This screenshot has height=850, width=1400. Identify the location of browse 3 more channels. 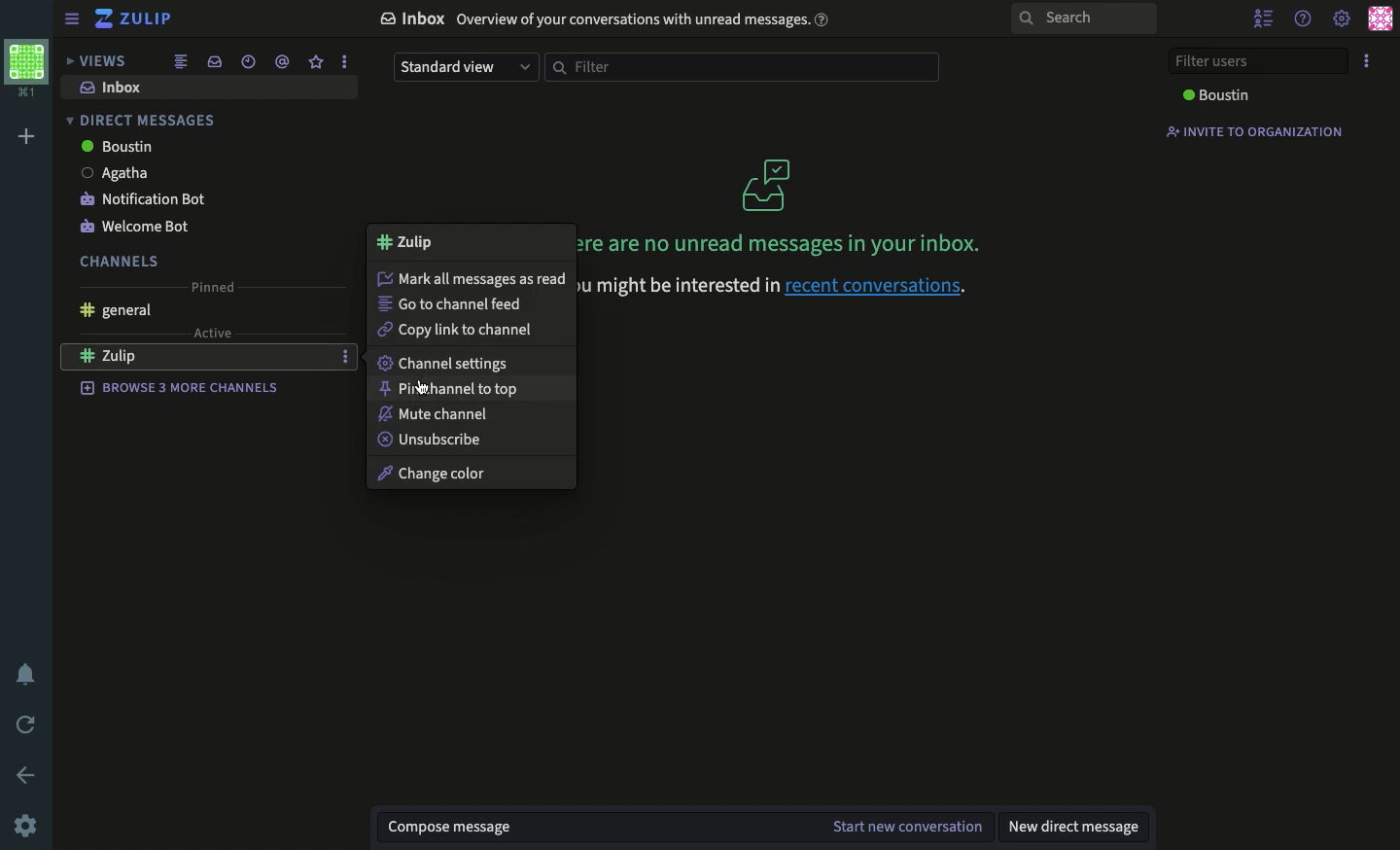
(181, 386).